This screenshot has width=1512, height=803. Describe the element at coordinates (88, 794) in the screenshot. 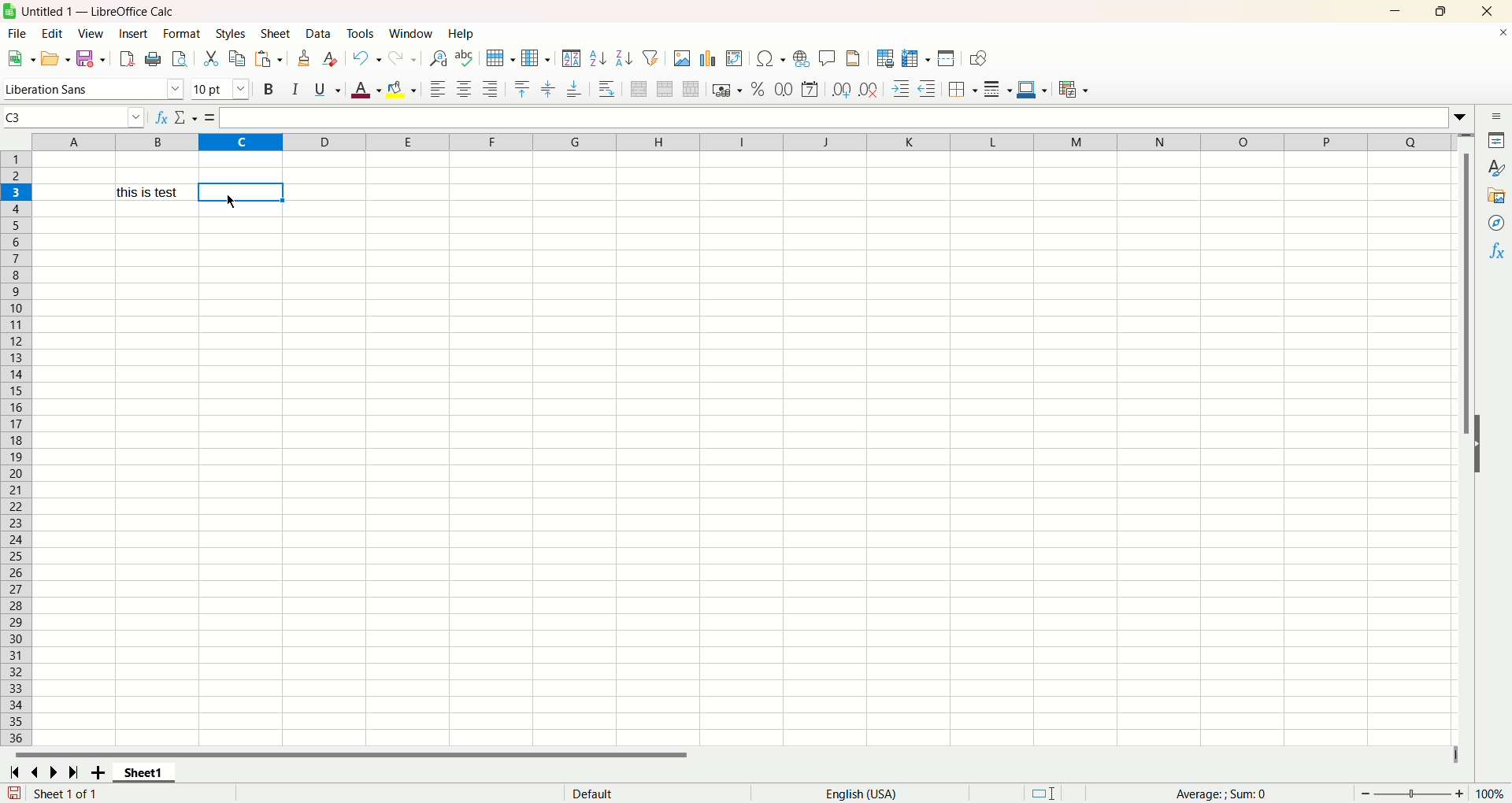

I see `sheet number` at that location.